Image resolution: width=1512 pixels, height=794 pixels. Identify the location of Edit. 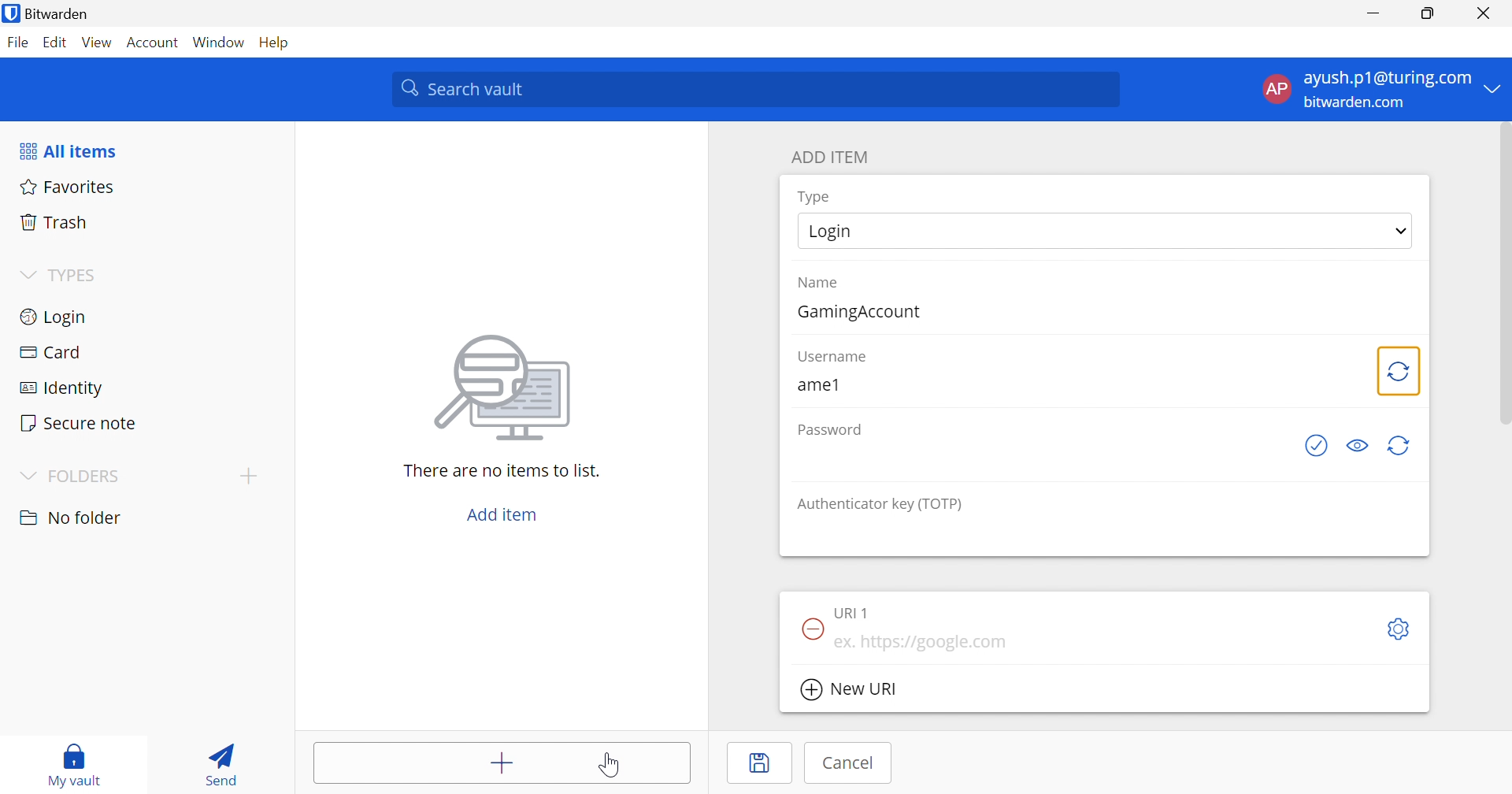
(57, 41).